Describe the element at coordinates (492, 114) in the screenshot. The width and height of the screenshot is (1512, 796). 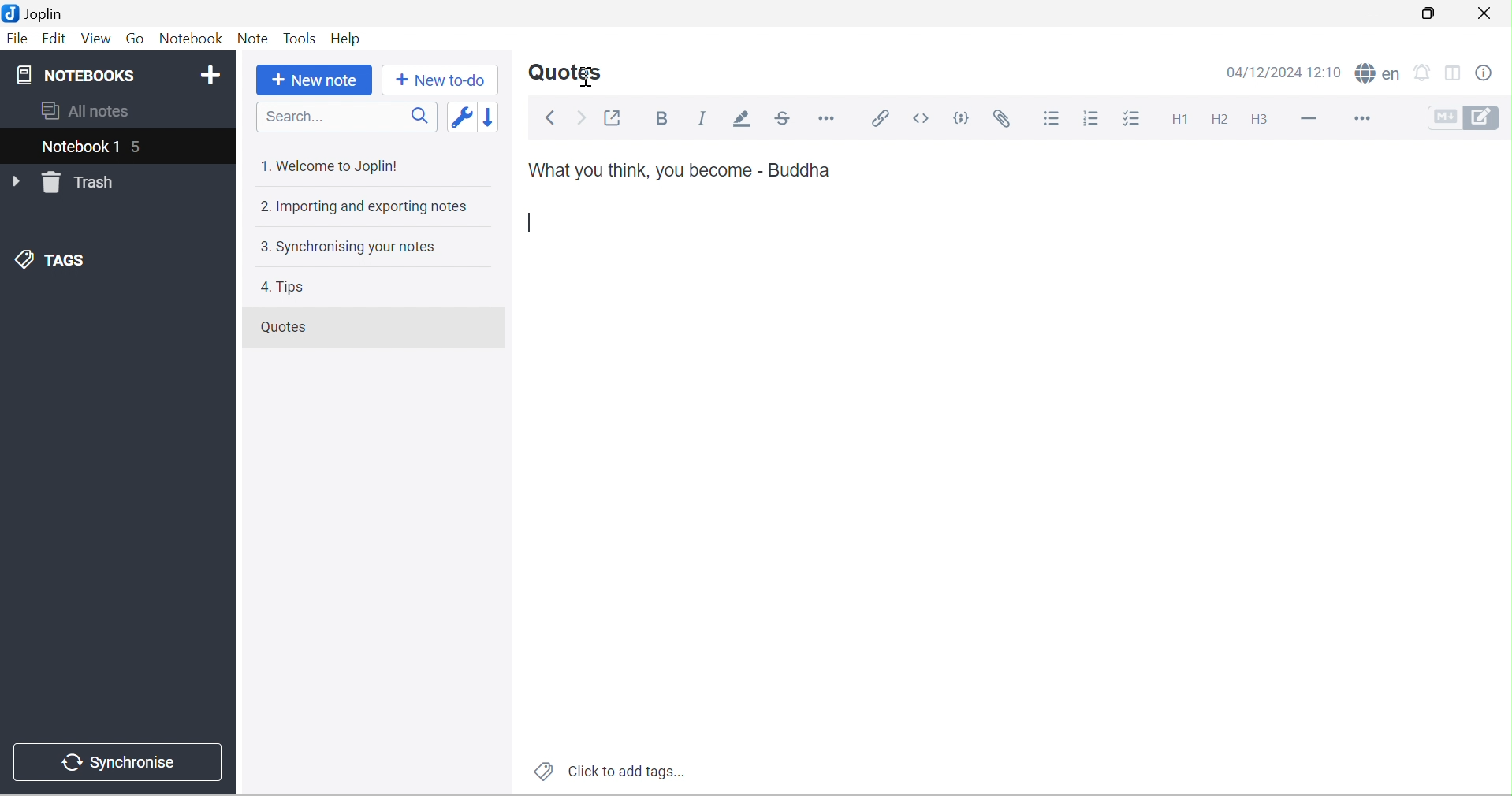
I see `Reverse sort order` at that location.